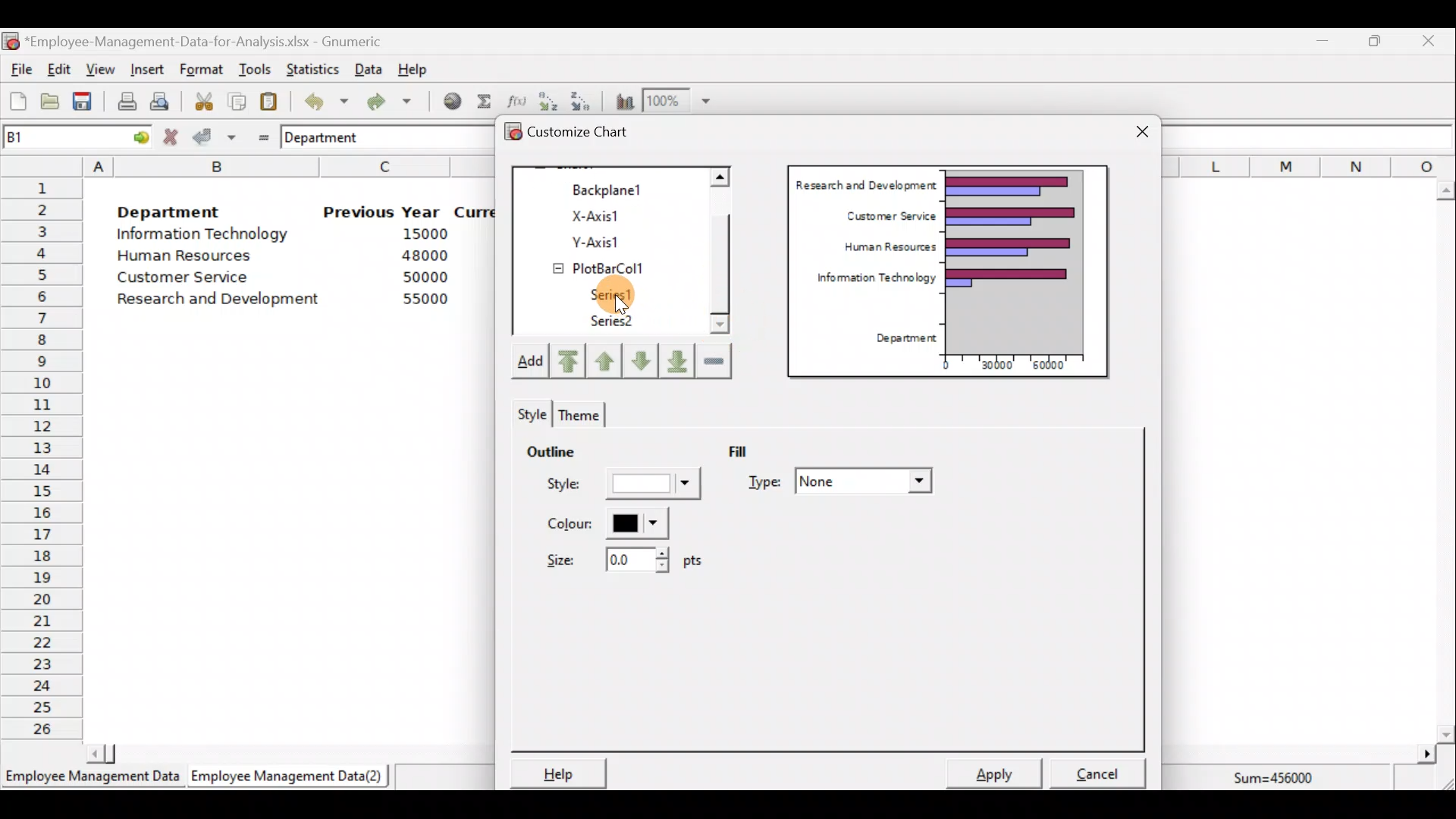 The image size is (1456, 819). Describe the element at coordinates (422, 68) in the screenshot. I see `Help` at that location.